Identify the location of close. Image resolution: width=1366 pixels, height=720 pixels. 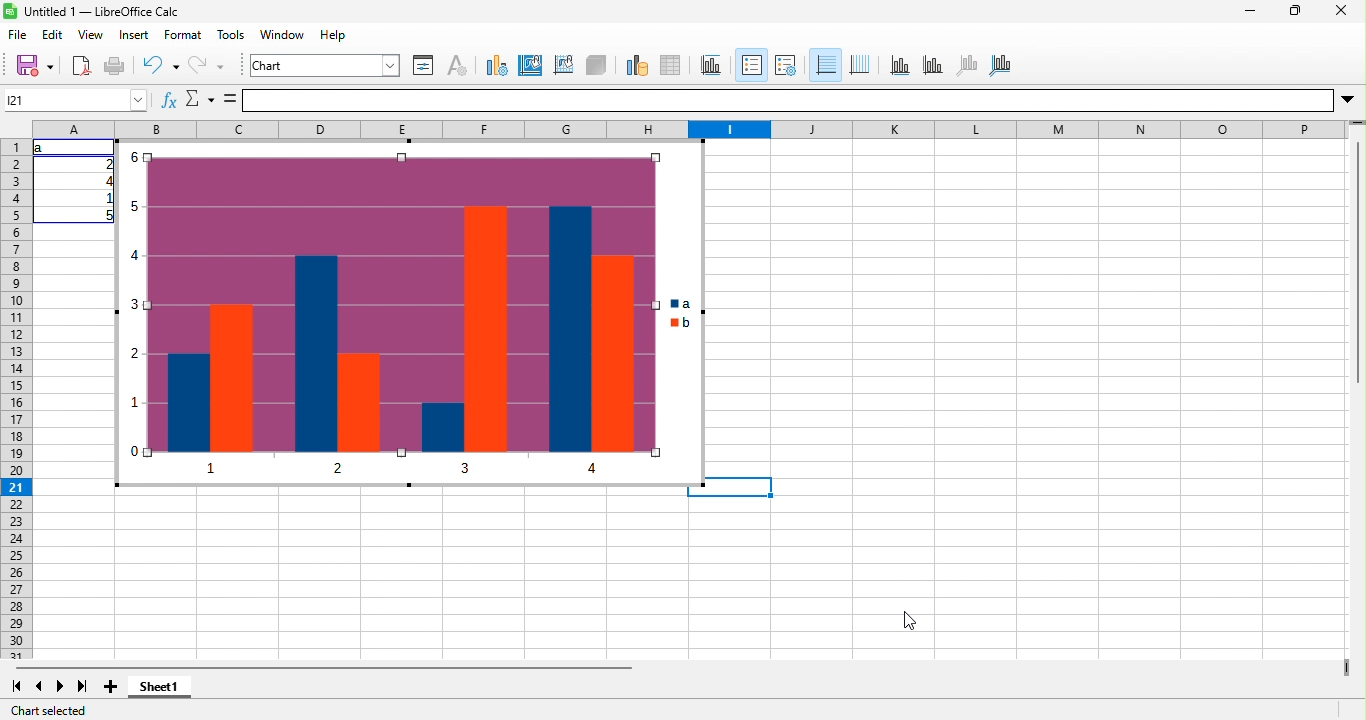
(1341, 11).